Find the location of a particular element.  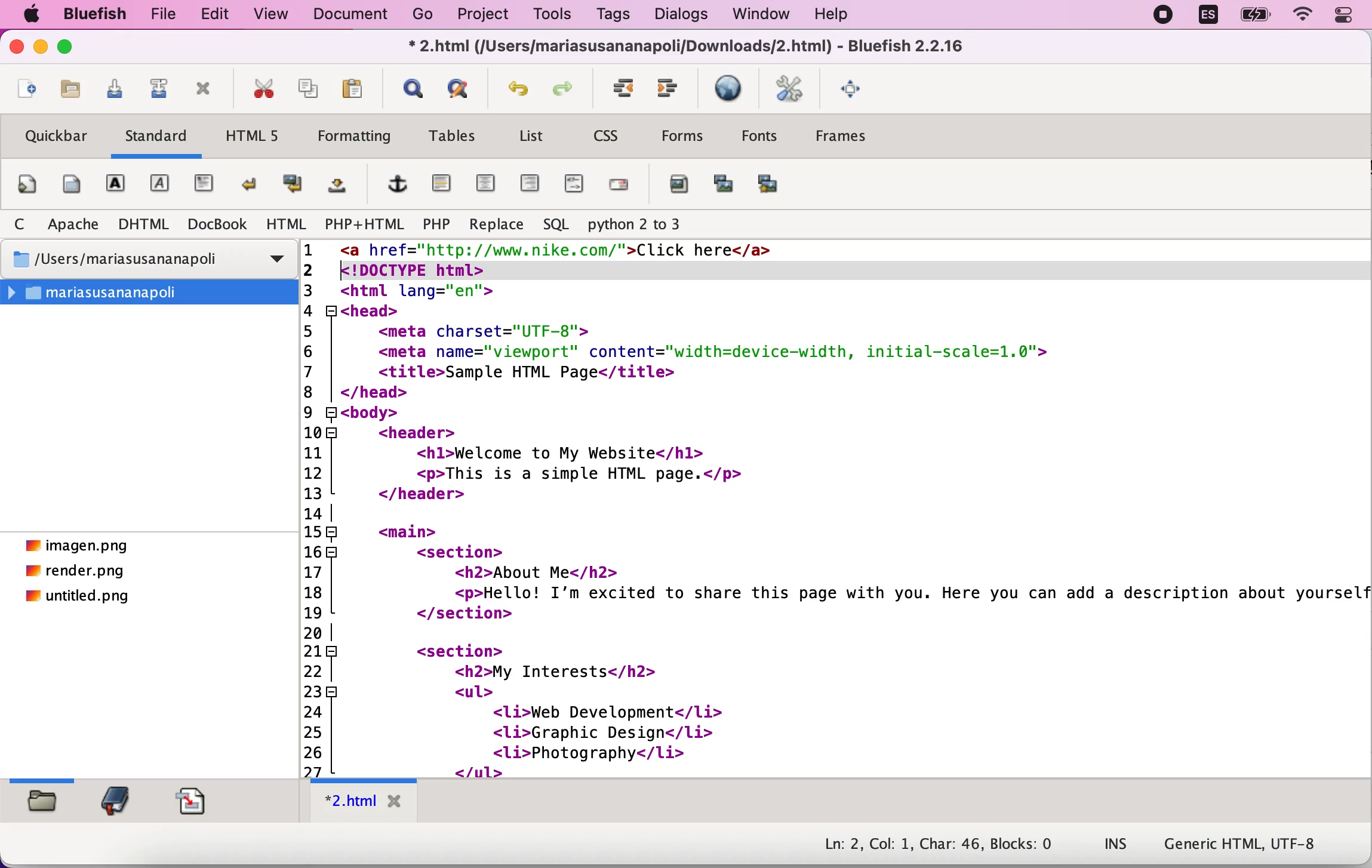

open file is located at coordinates (72, 90).